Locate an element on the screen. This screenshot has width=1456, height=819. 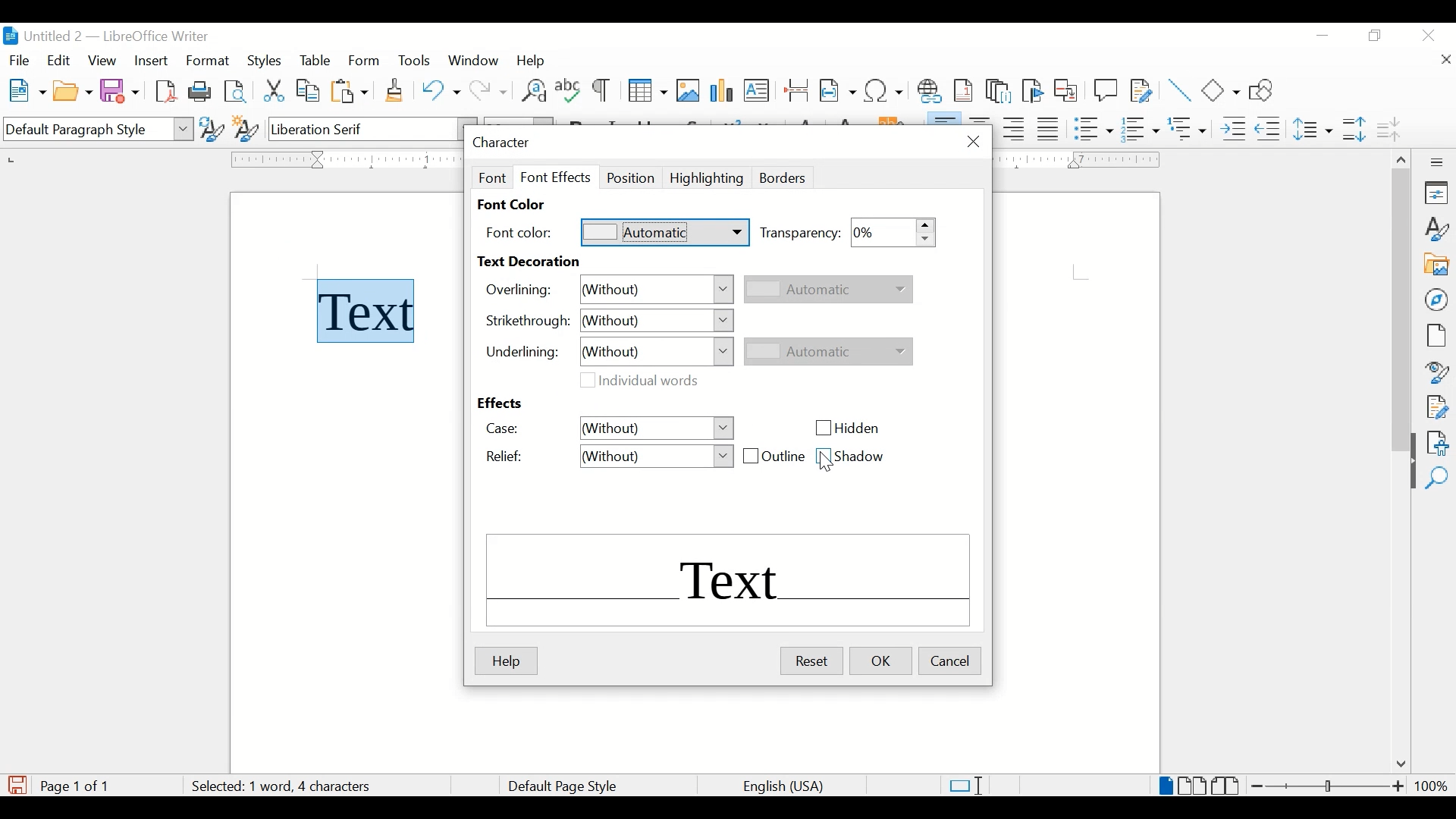
new comment is located at coordinates (1106, 90).